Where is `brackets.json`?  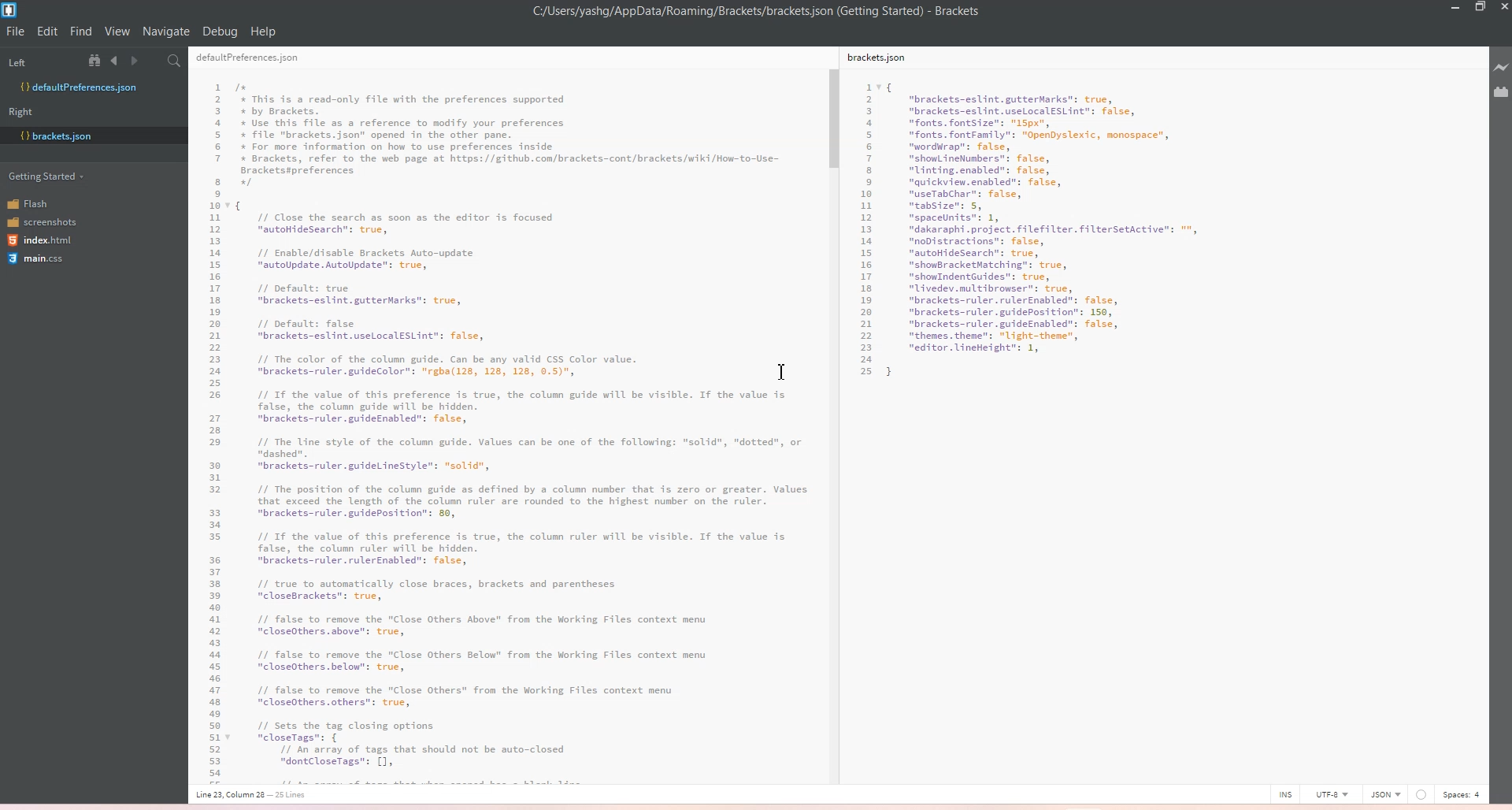 brackets.json is located at coordinates (884, 60).